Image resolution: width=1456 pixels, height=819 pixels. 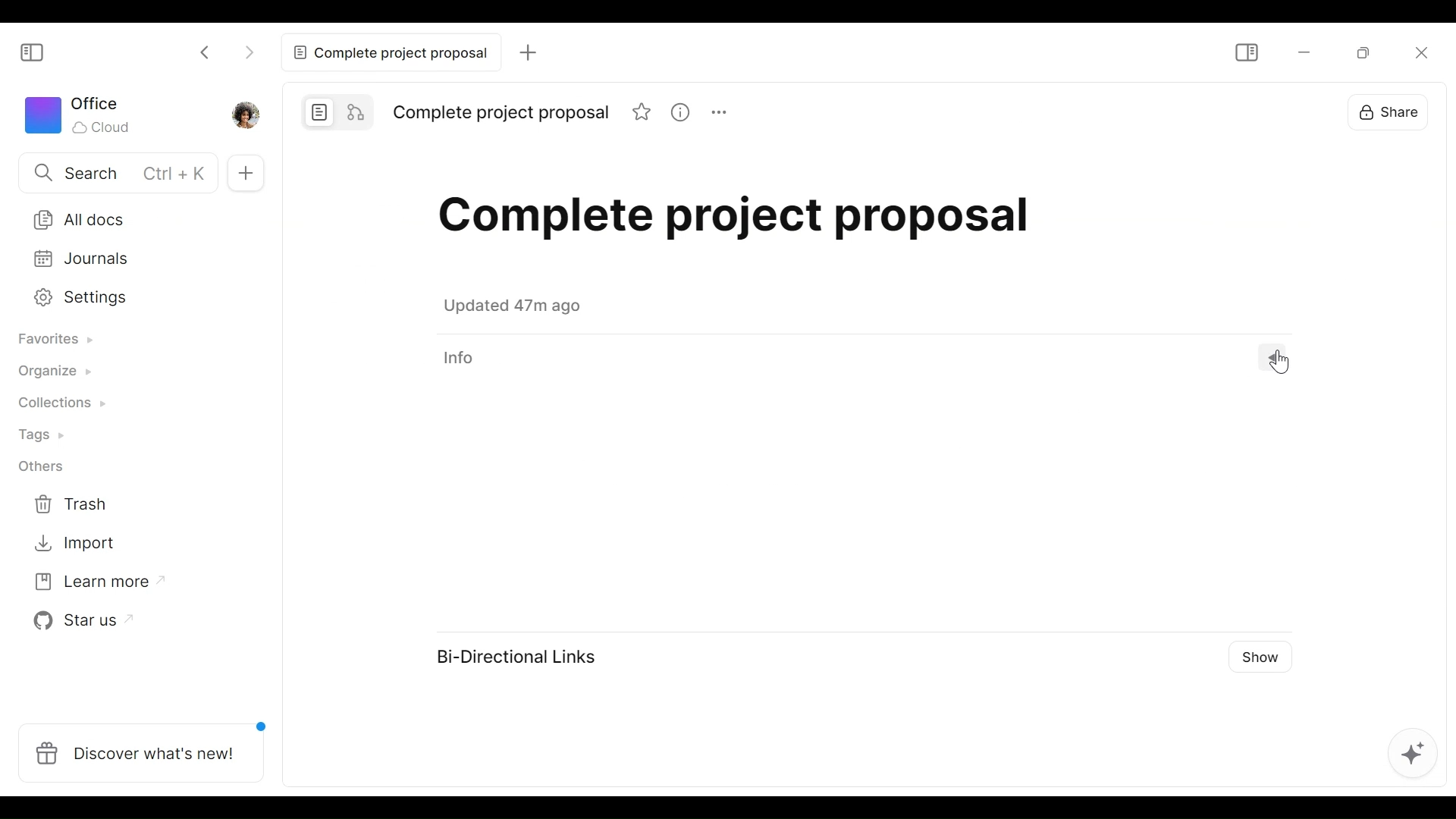 I want to click on Journal, so click(x=128, y=260).